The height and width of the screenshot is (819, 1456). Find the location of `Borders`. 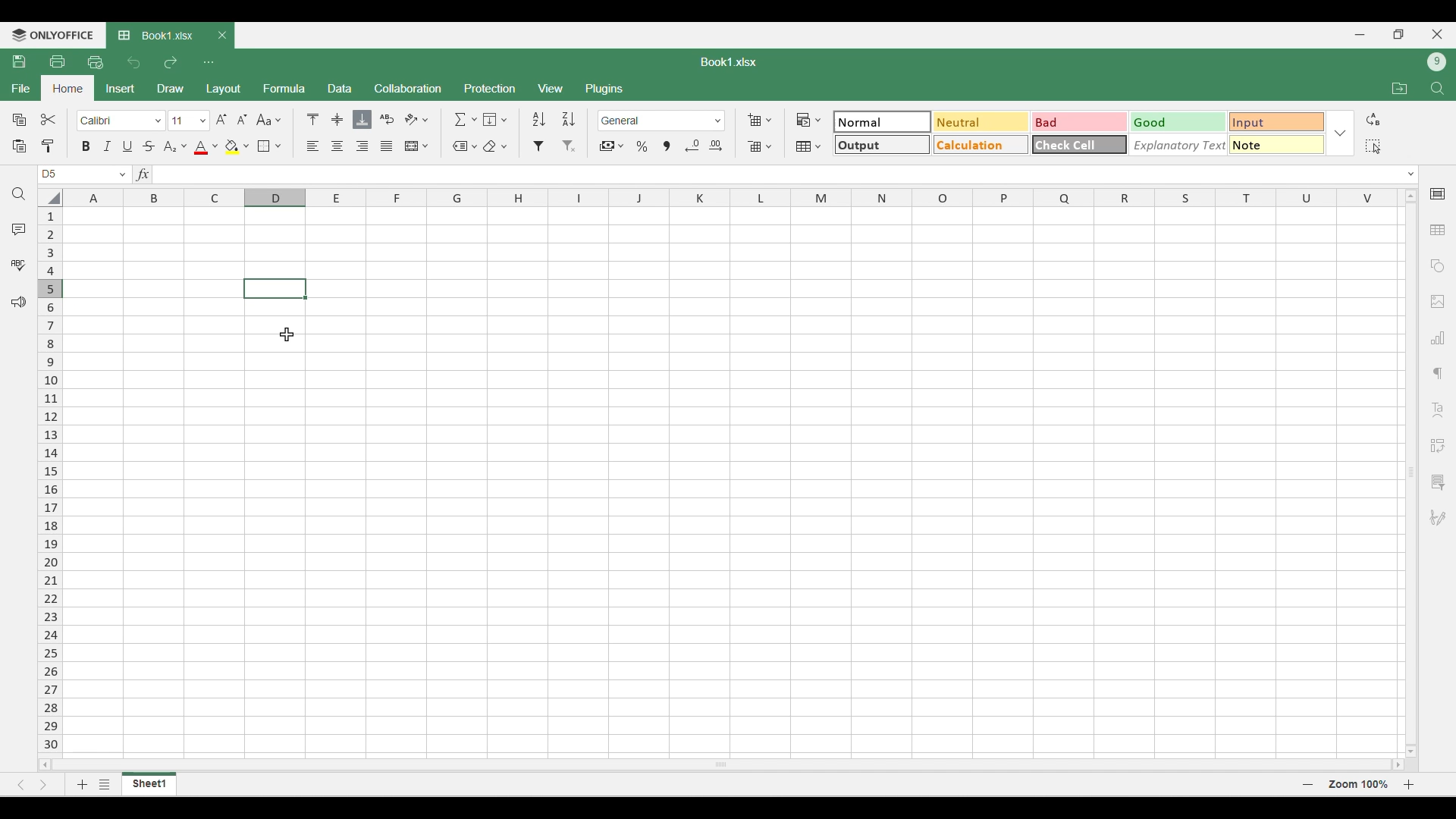

Borders is located at coordinates (269, 146).